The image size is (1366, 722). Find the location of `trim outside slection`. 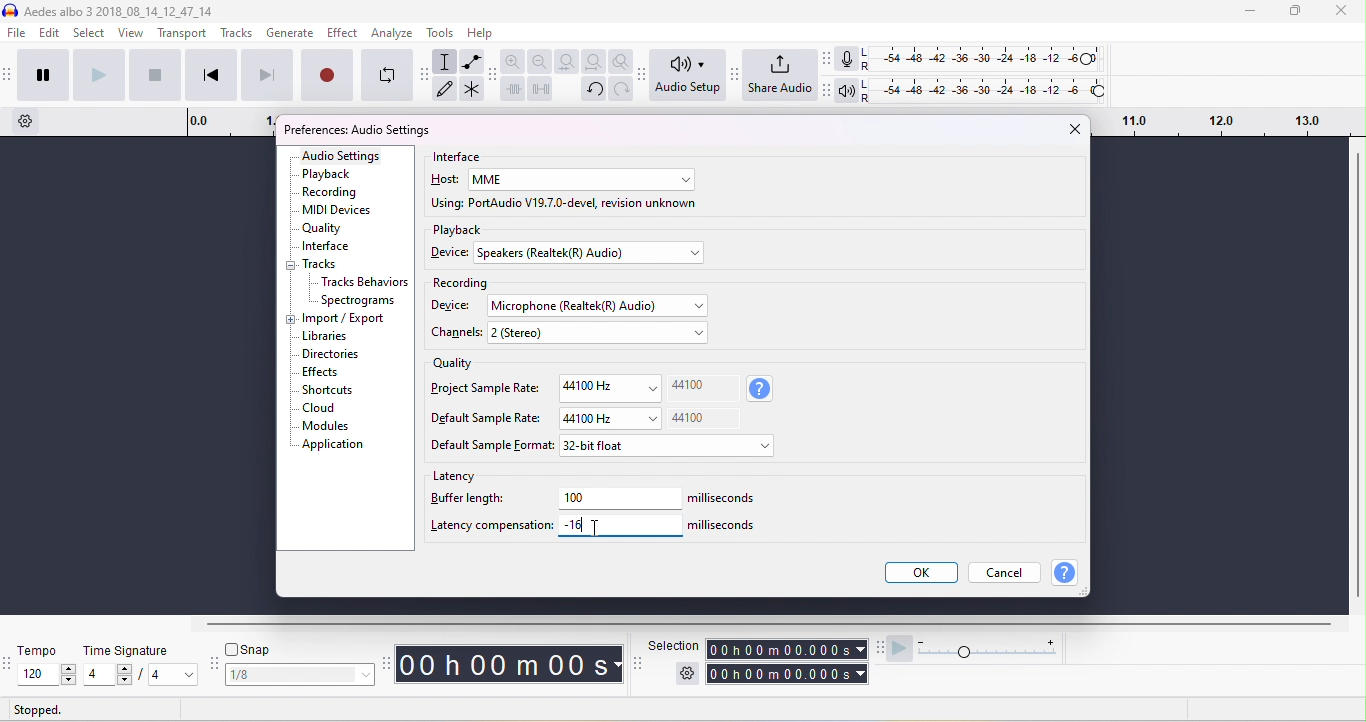

trim outside slection is located at coordinates (516, 92).